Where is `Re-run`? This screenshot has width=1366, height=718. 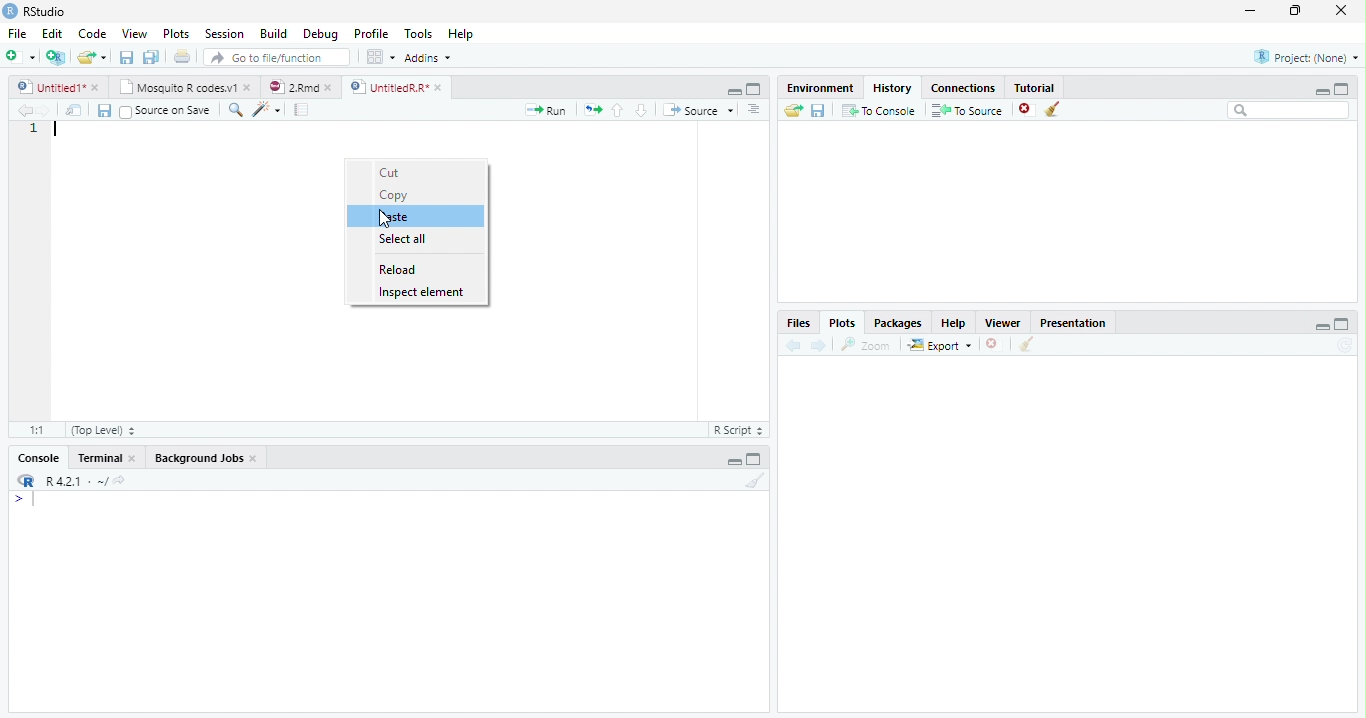
Re-run is located at coordinates (591, 110).